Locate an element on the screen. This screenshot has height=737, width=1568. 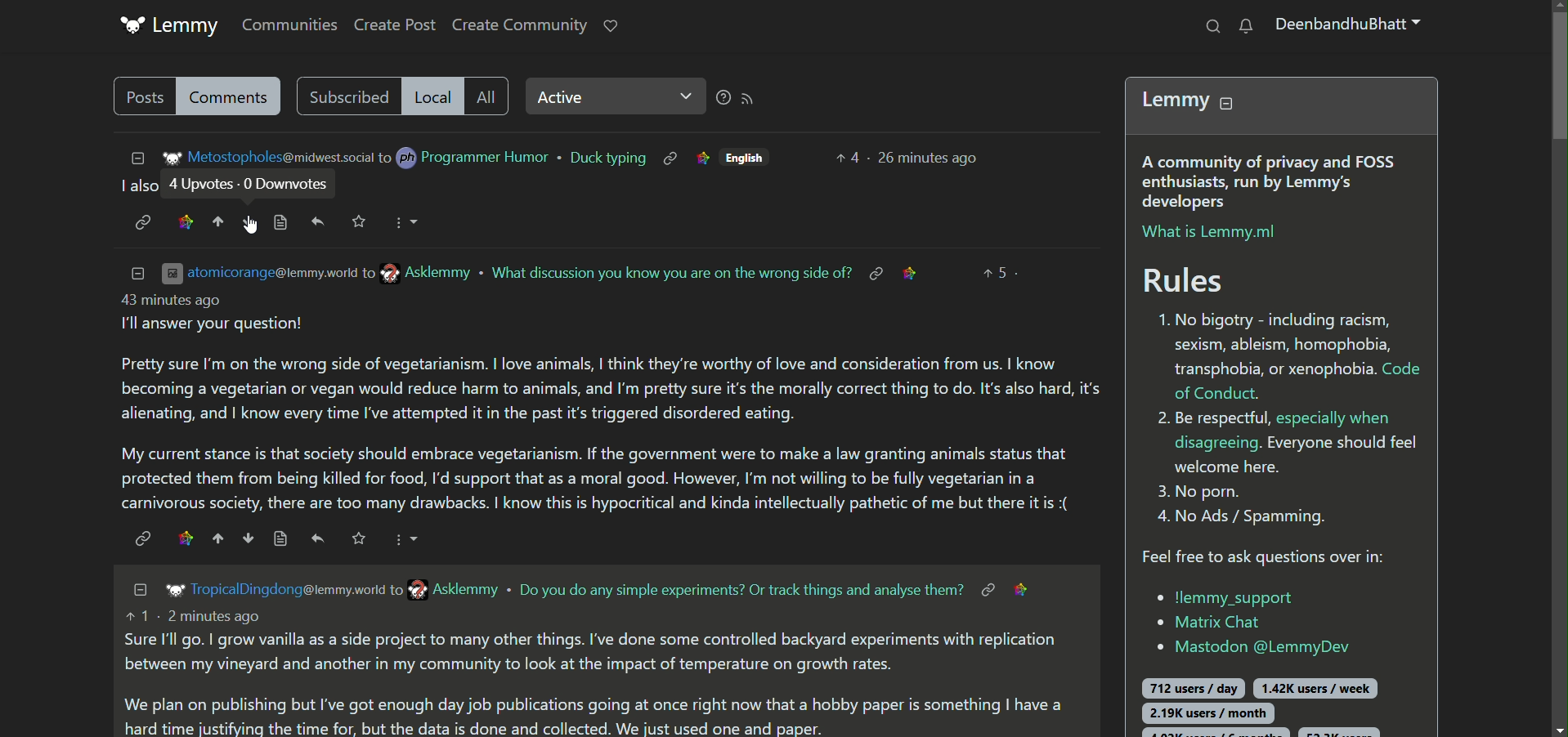
upvote is located at coordinates (219, 221).